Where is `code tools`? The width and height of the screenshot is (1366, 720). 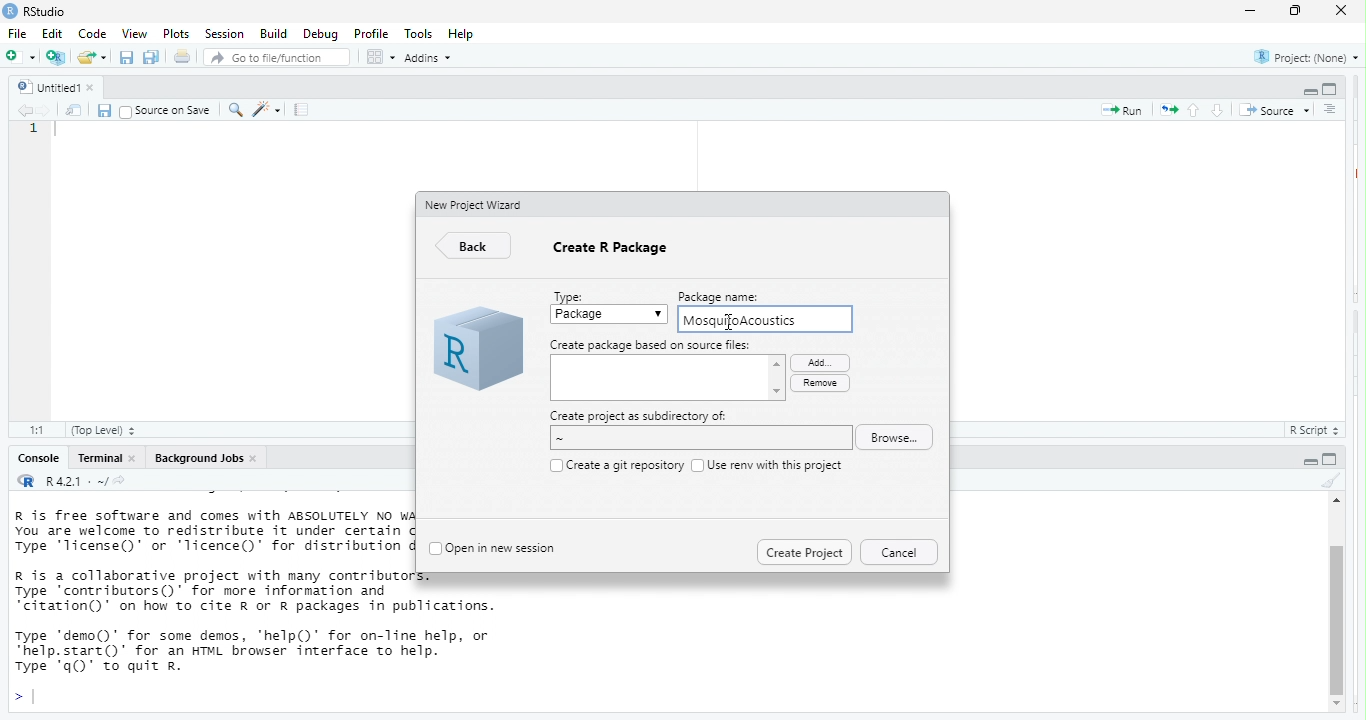
code tools is located at coordinates (269, 110).